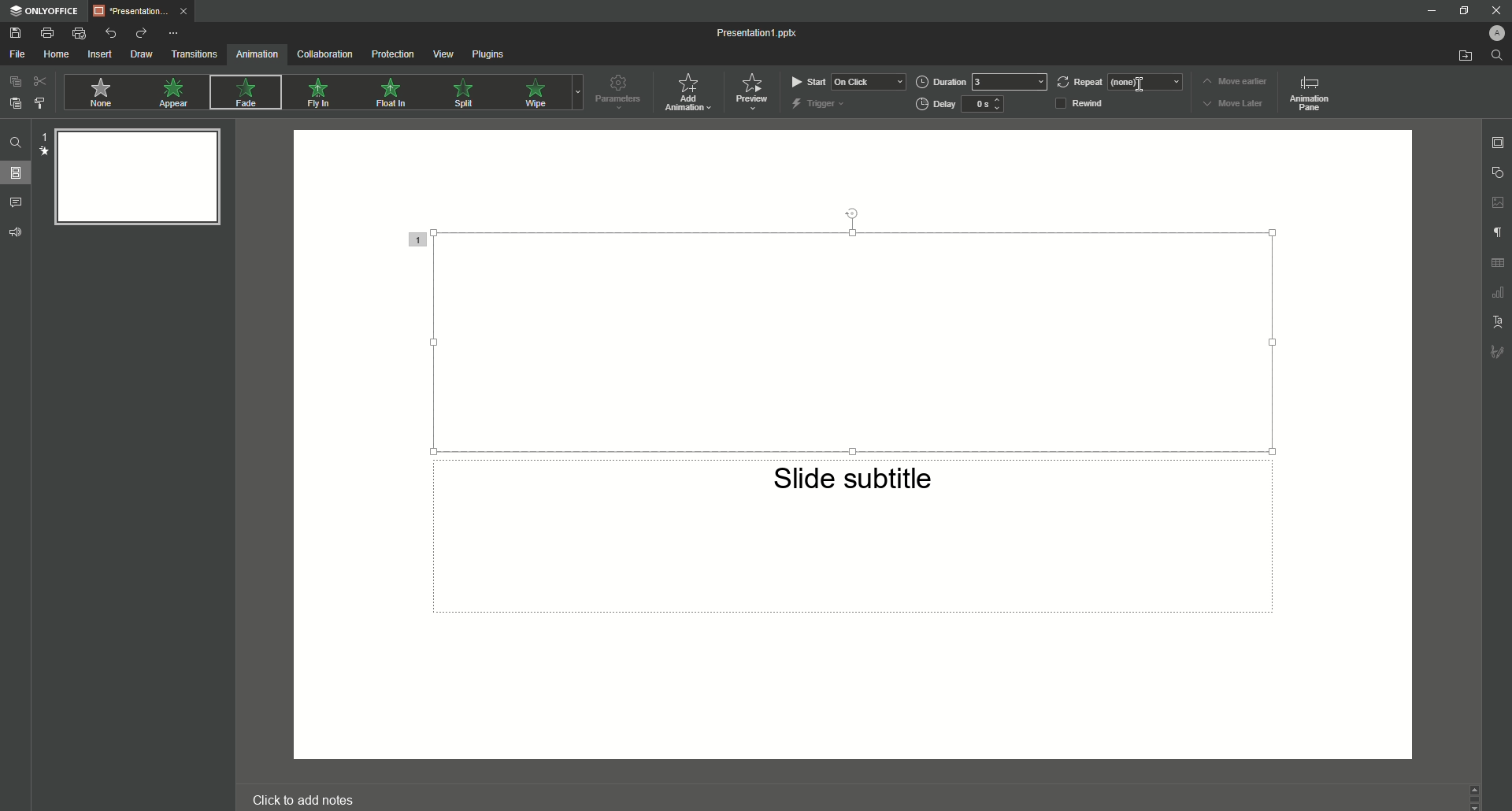  Describe the element at coordinates (1307, 92) in the screenshot. I see `Animation pane` at that location.